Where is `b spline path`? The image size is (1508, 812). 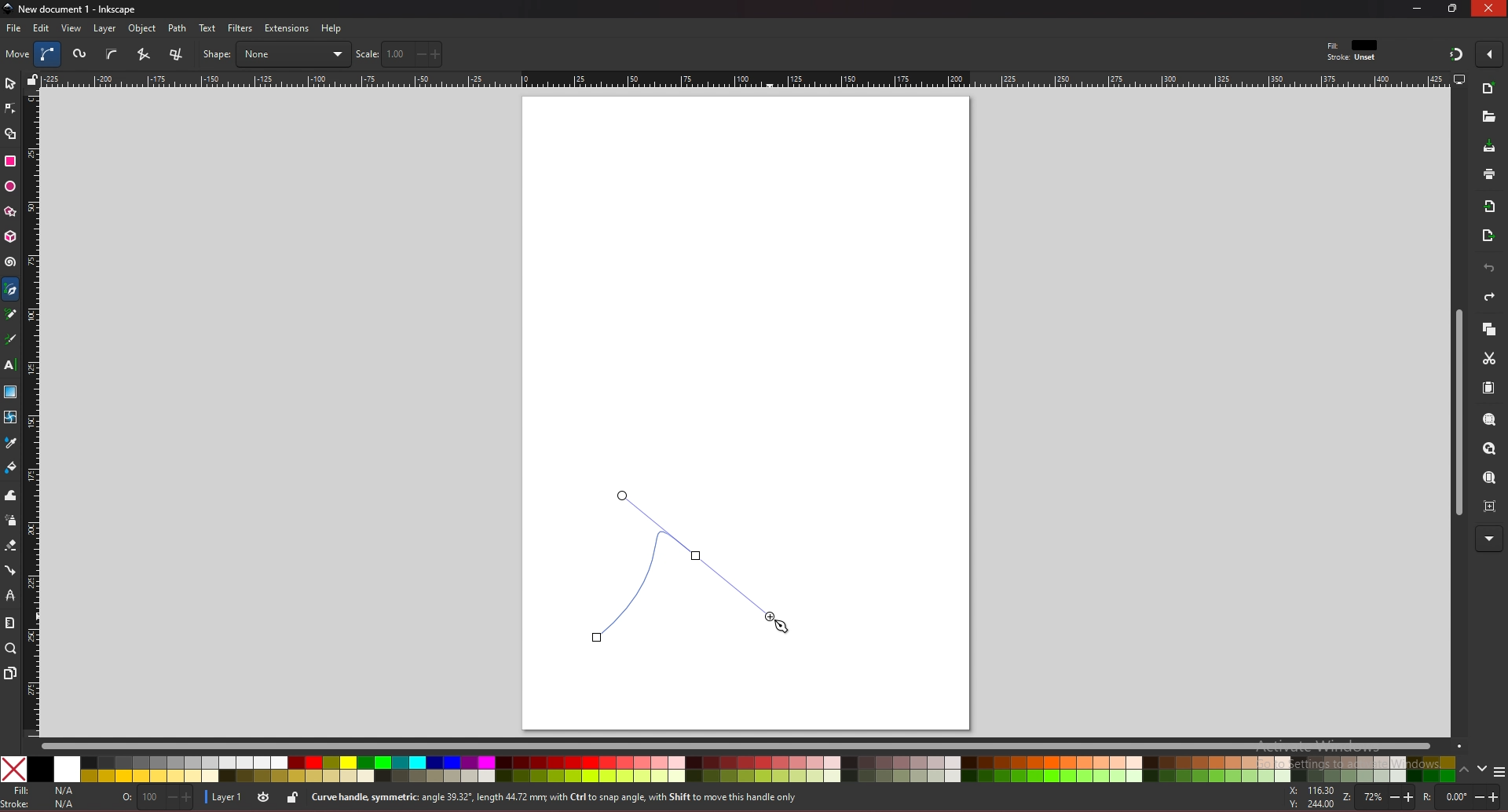
b spline path is located at coordinates (112, 53).